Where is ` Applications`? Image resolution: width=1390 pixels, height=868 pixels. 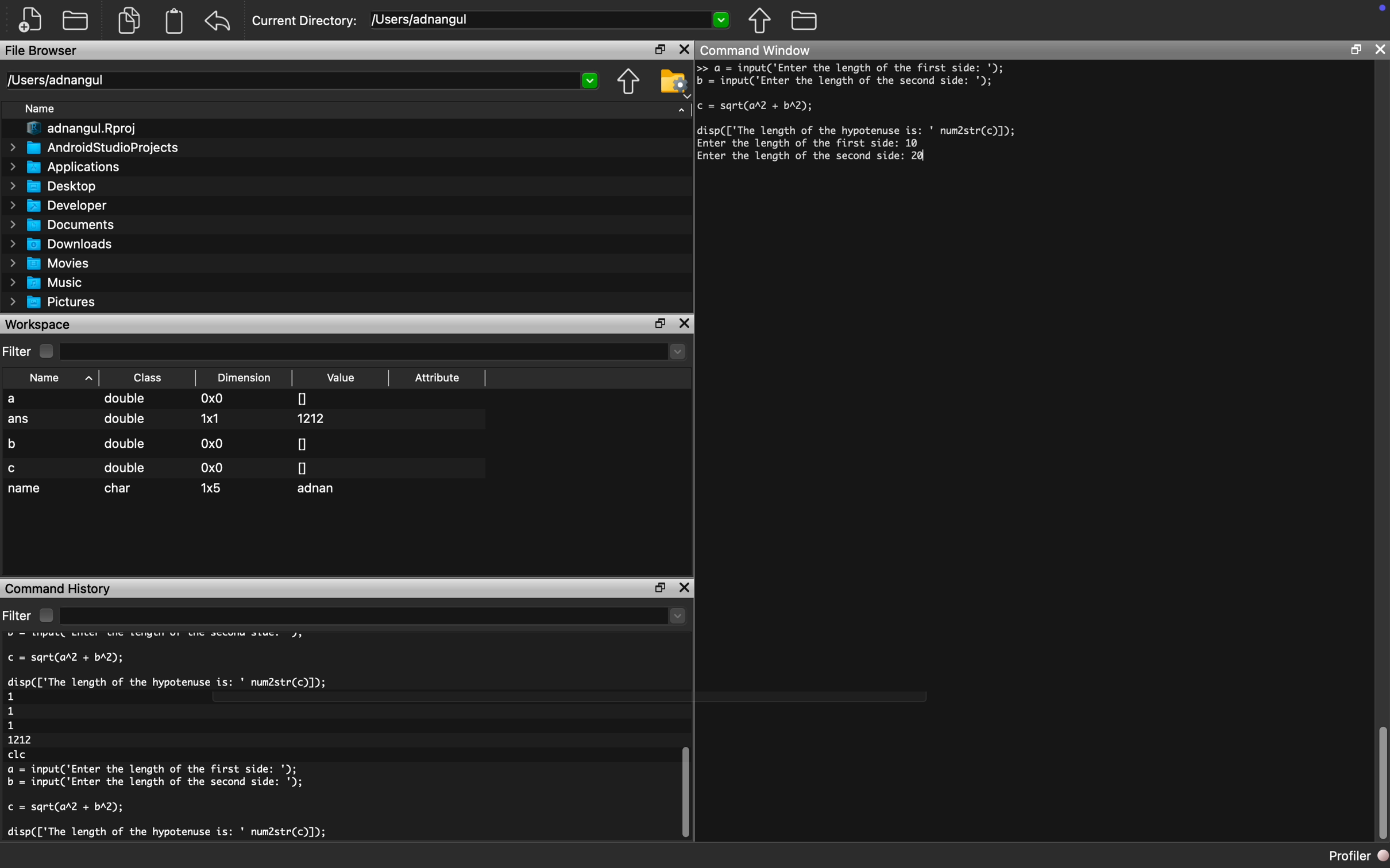  Applications is located at coordinates (70, 166).